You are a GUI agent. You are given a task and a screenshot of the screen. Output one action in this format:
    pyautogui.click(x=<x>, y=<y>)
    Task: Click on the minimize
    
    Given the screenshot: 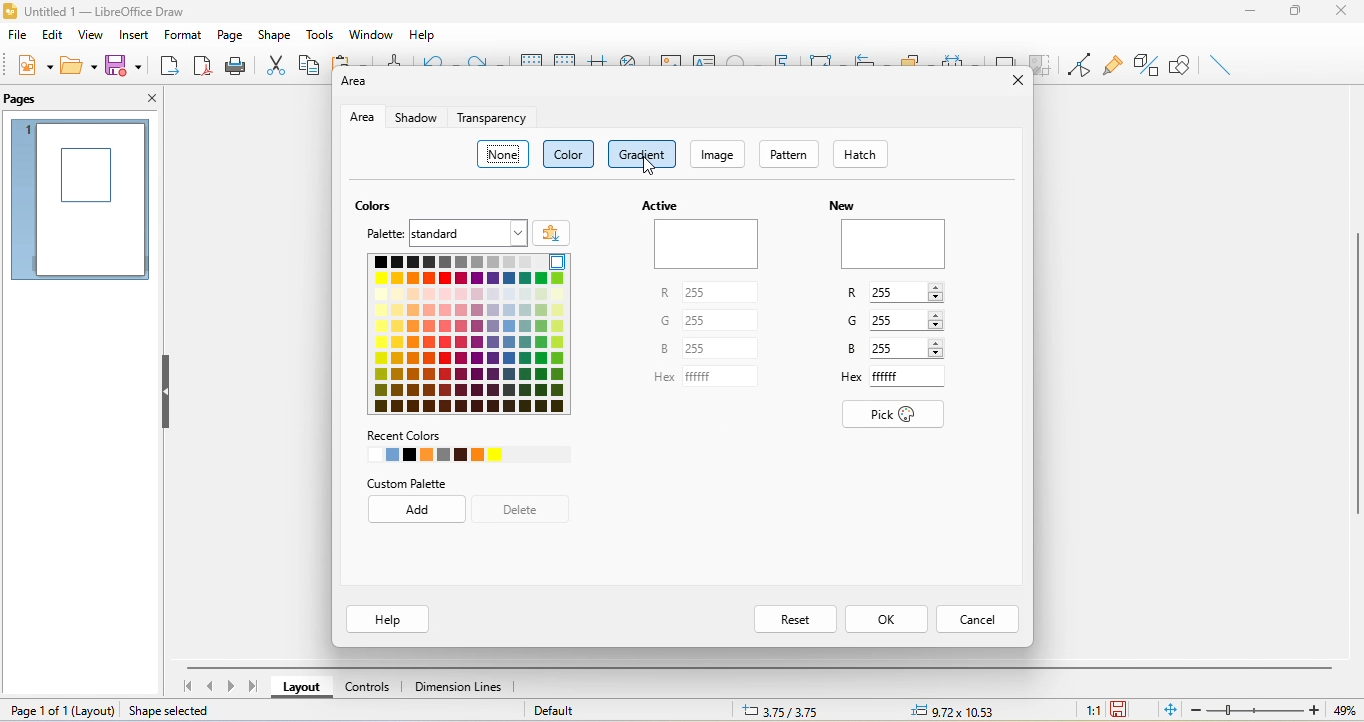 What is the action you would take?
    pyautogui.click(x=1250, y=13)
    